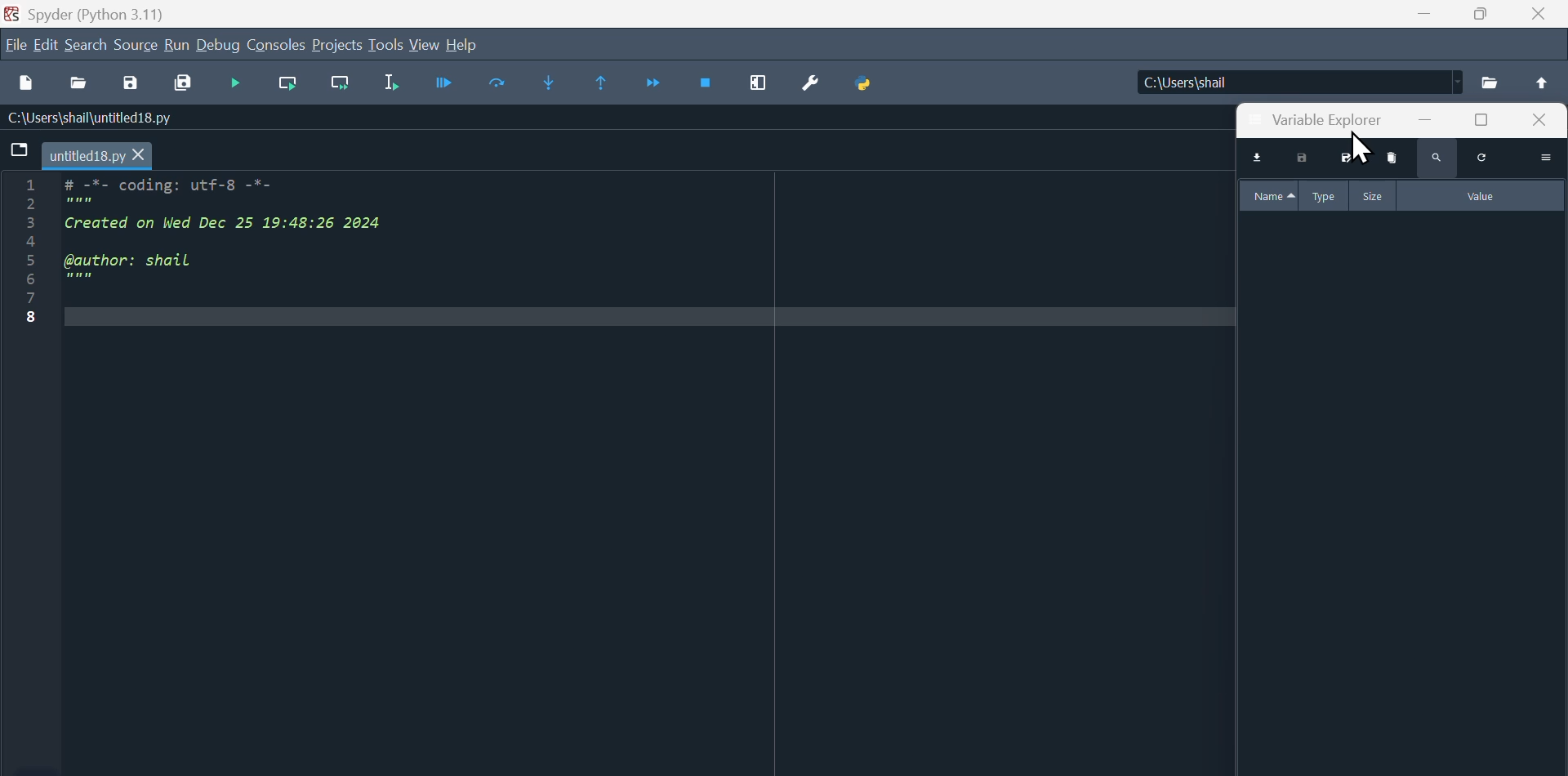  Describe the element at coordinates (1326, 194) in the screenshot. I see `type` at that location.